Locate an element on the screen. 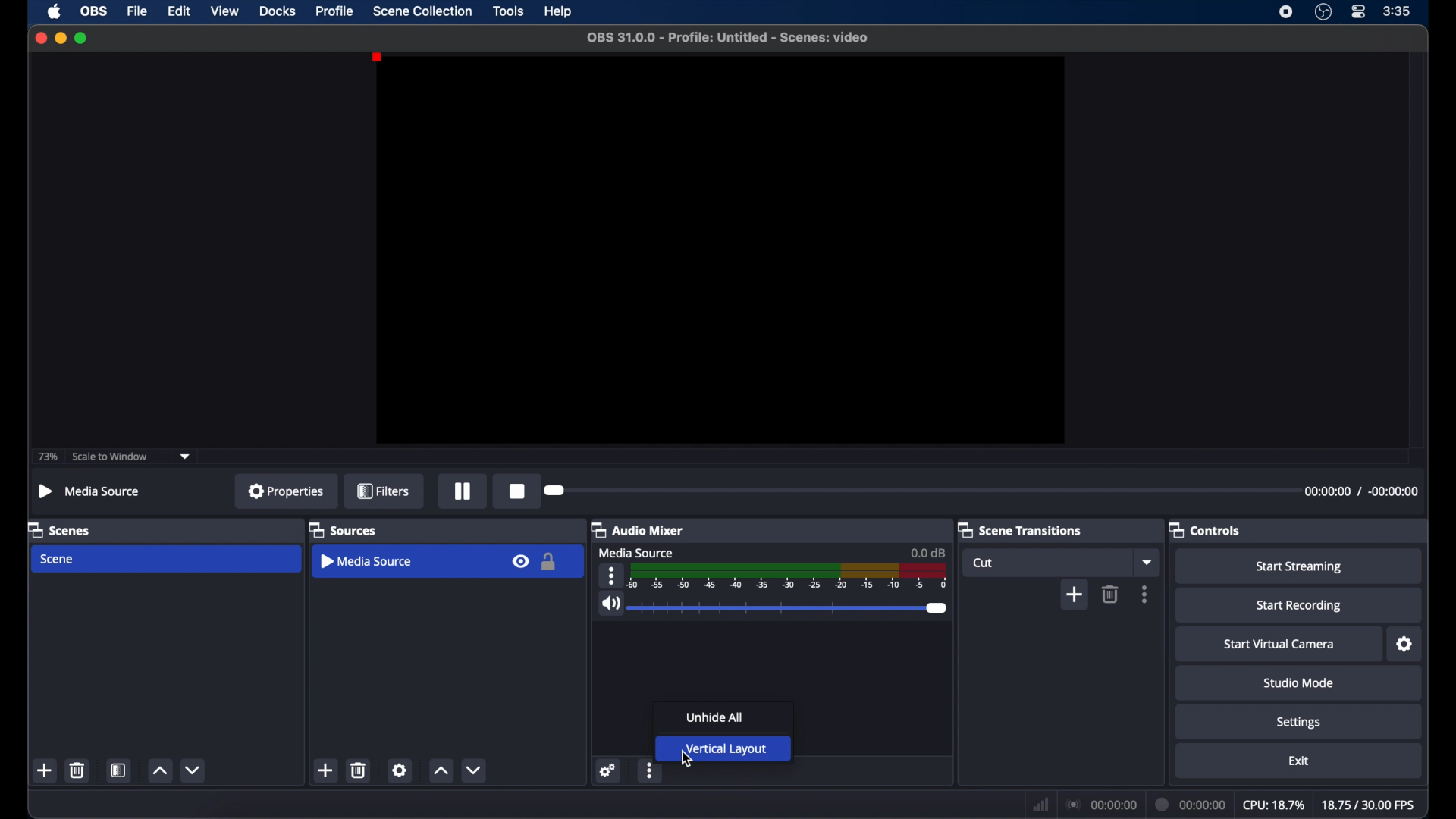 Image resolution: width=1456 pixels, height=819 pixels. settings is located at coordinates (1298, 723).